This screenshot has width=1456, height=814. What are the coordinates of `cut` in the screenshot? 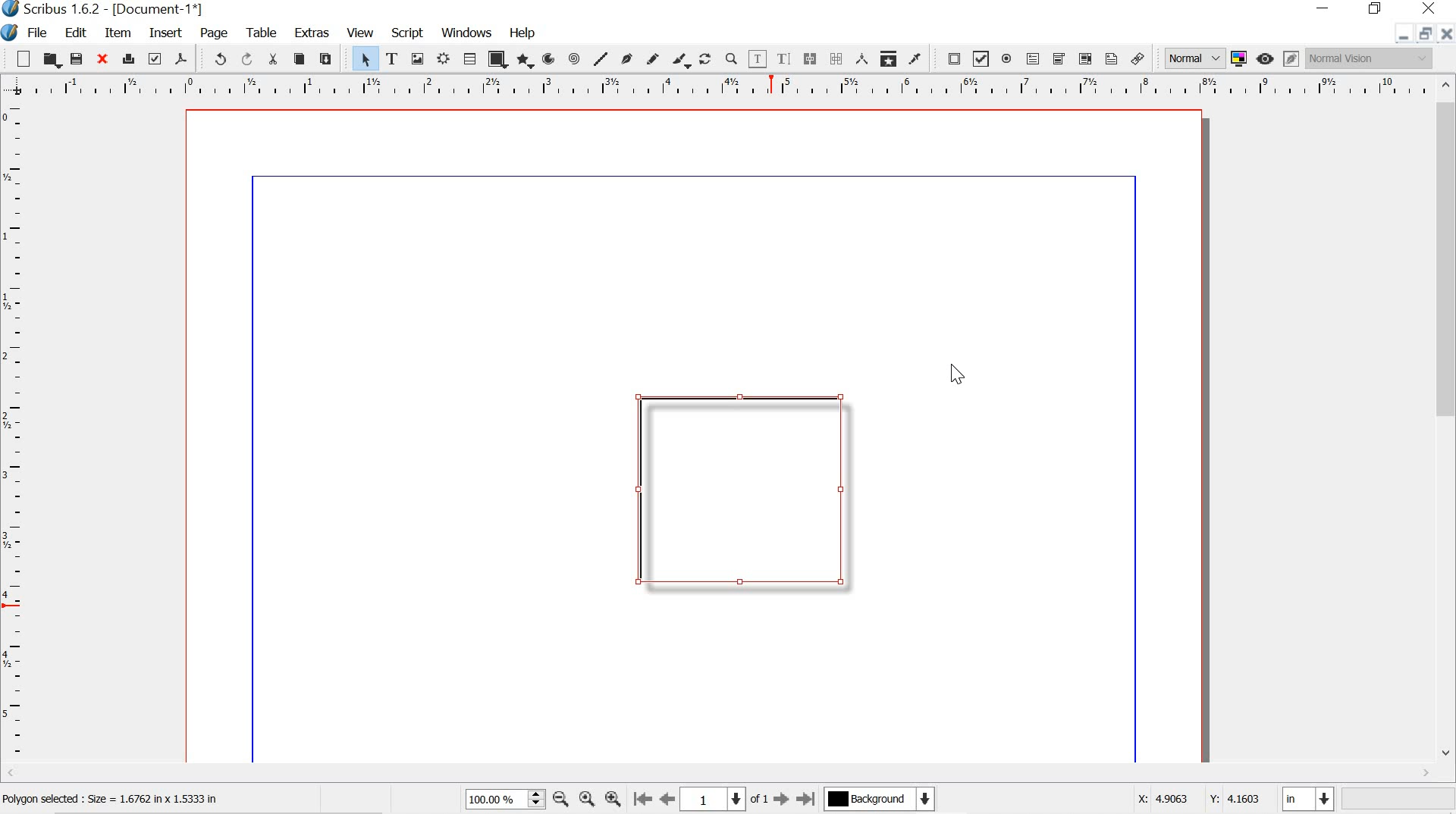 It's located at (273, 59).